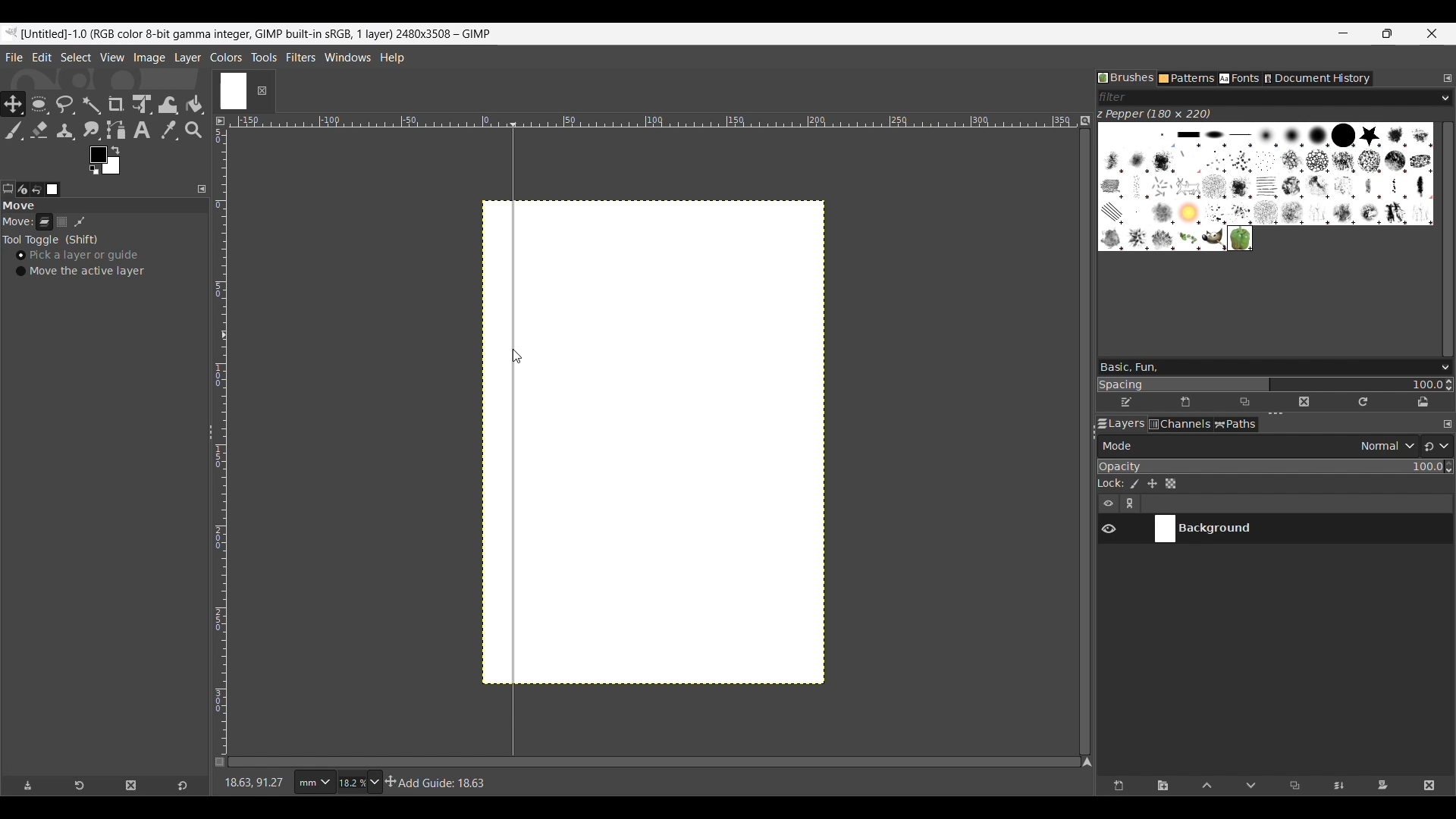 This screenshot has width=1456, height=819. I want to click on vertical guide line, so click(511, 435).